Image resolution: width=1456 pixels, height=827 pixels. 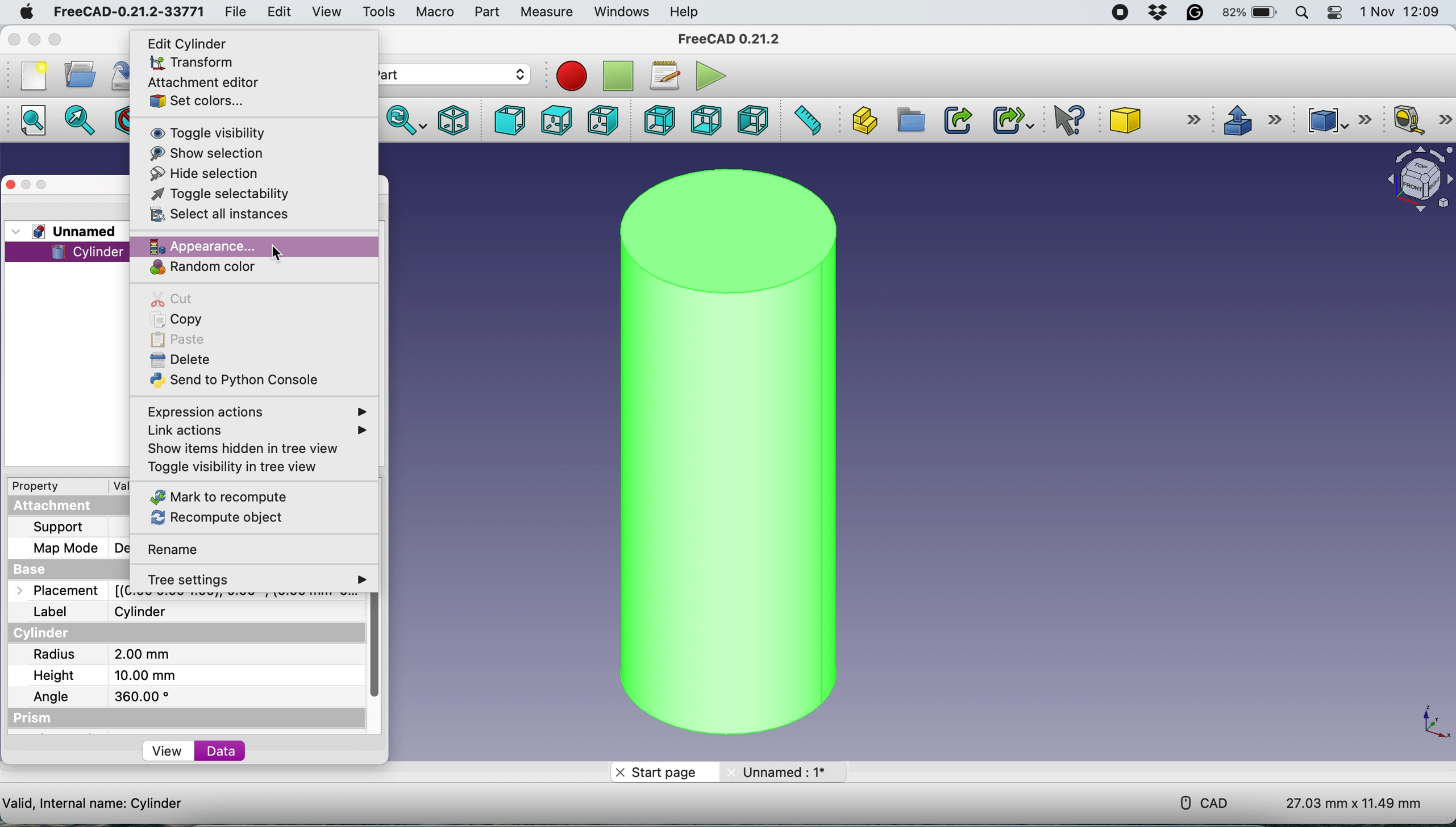 I want to click on execute macros, so click(x=706, y=74).